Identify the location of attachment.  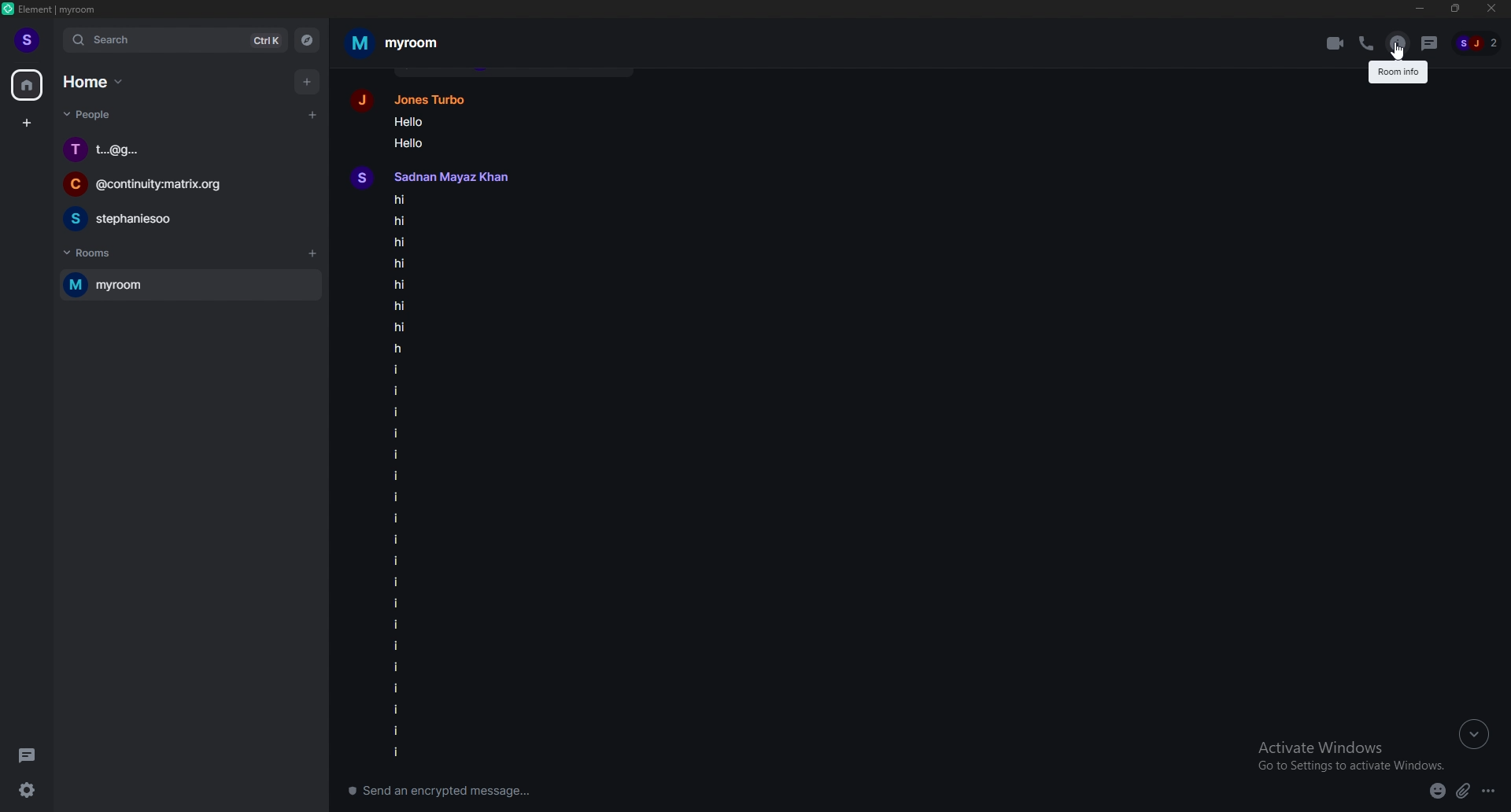
(1462, 792).